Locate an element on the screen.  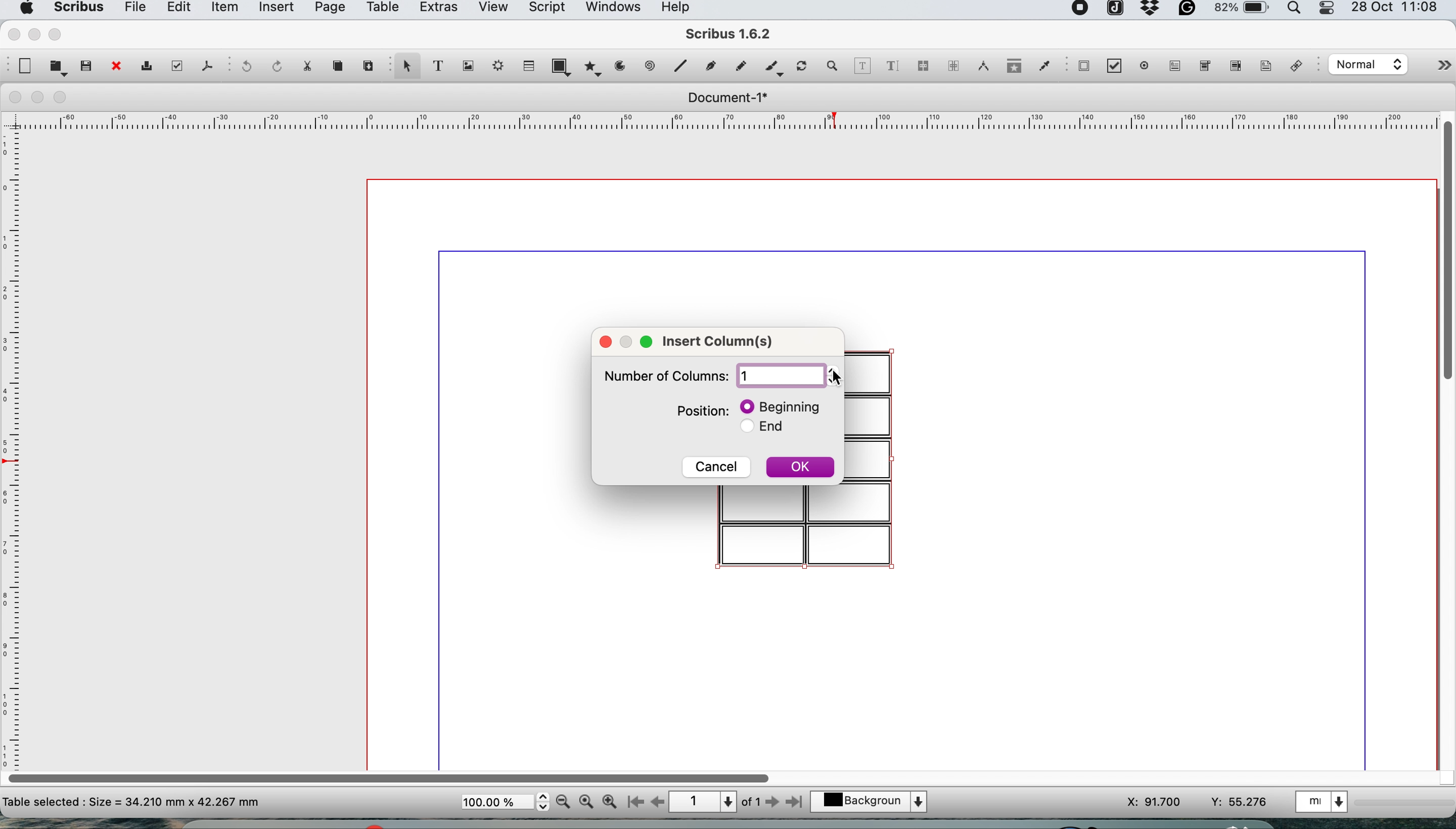
page is located at coordinates (328, 10).